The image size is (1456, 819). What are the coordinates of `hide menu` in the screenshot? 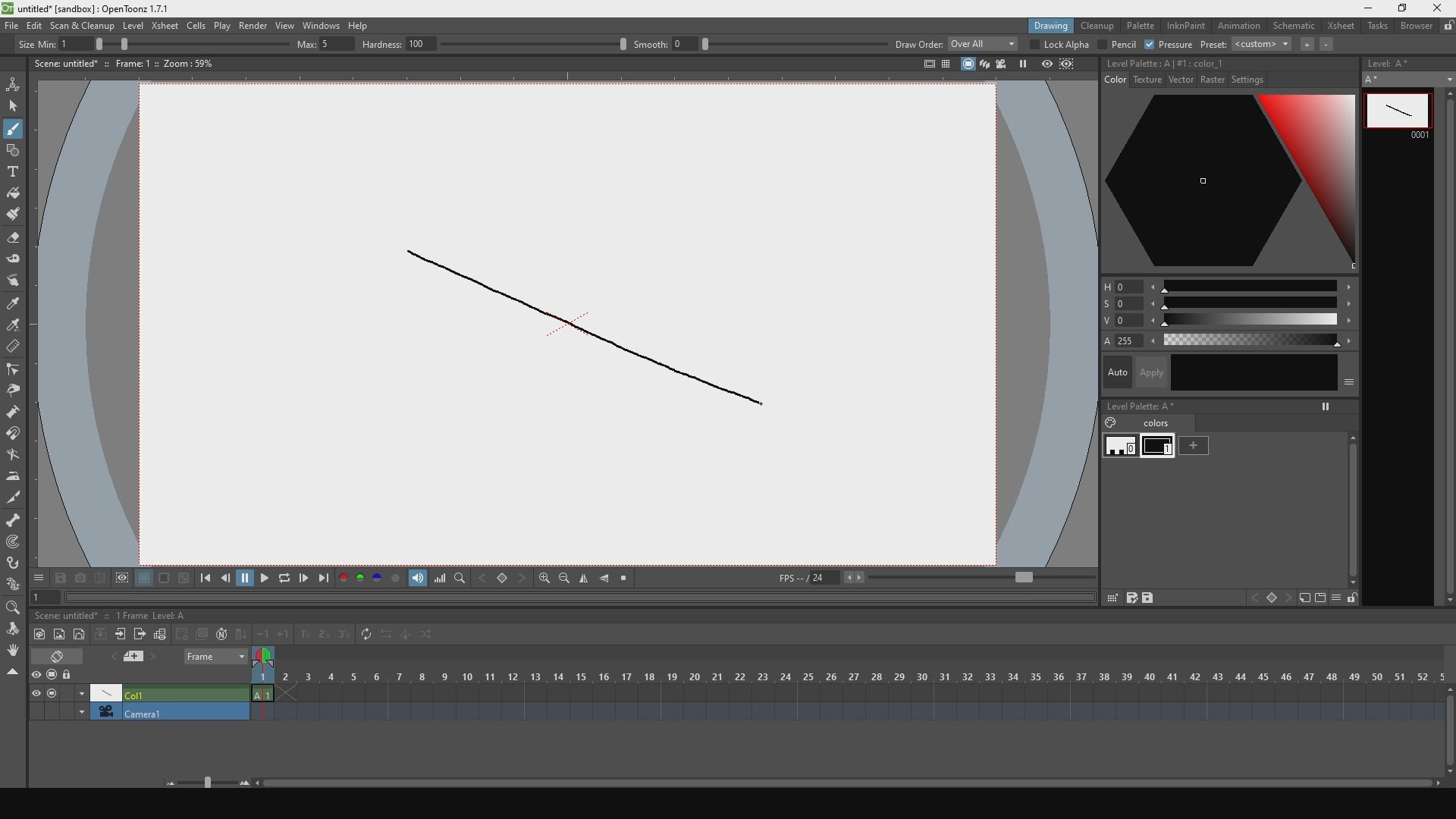 It's located at (1335, 598).